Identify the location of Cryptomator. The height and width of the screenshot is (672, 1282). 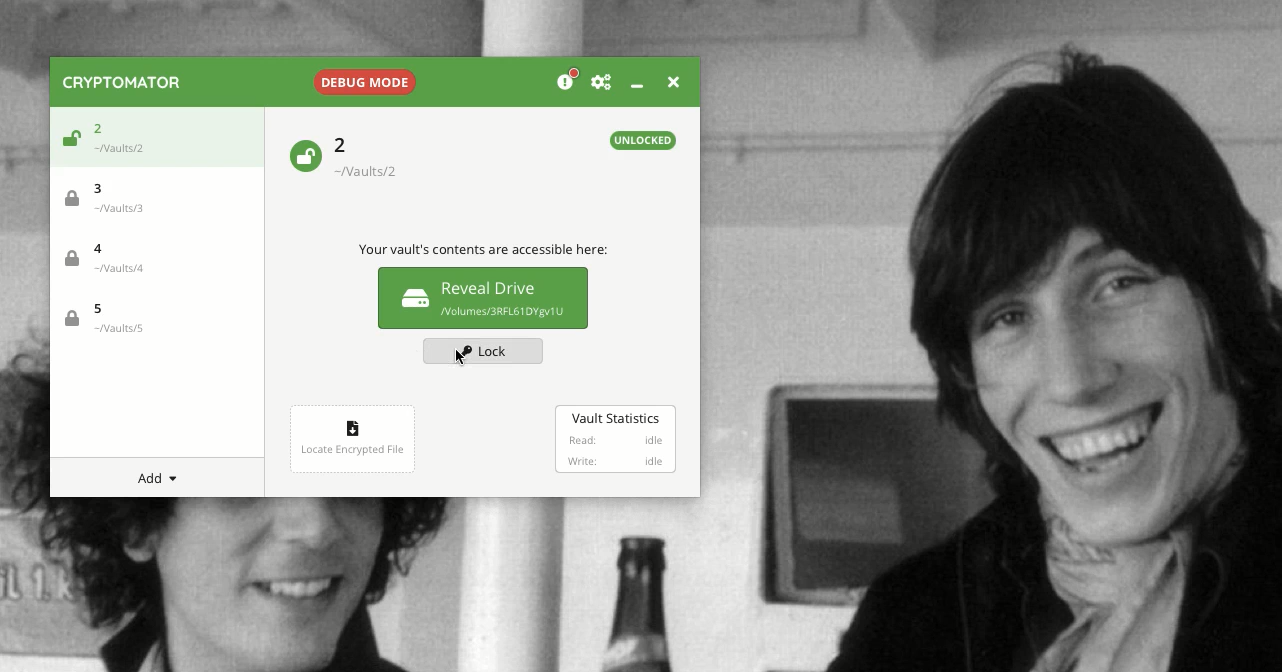
(123, 82).